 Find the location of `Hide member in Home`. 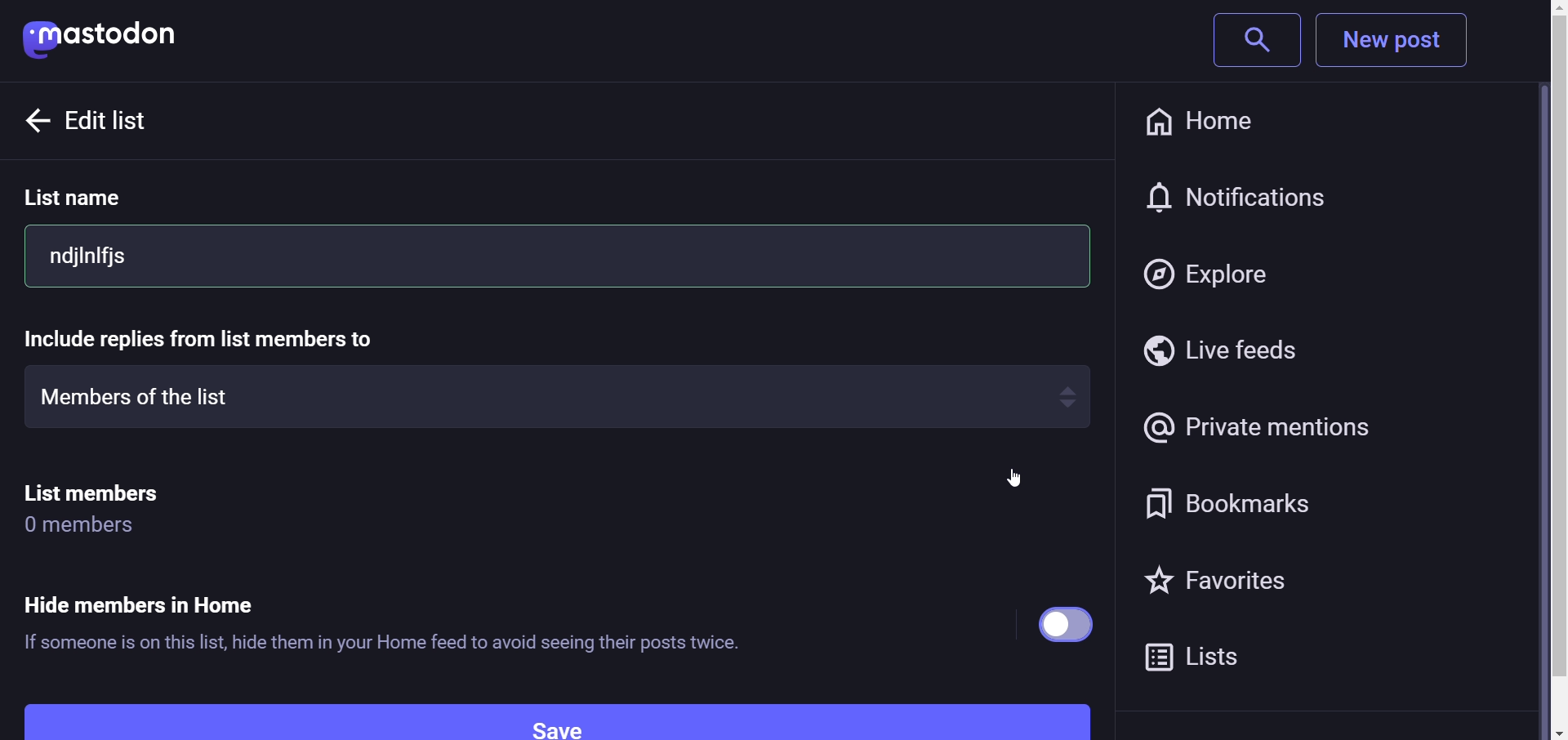

Hide member in Home is located at coordinates (162, 591).